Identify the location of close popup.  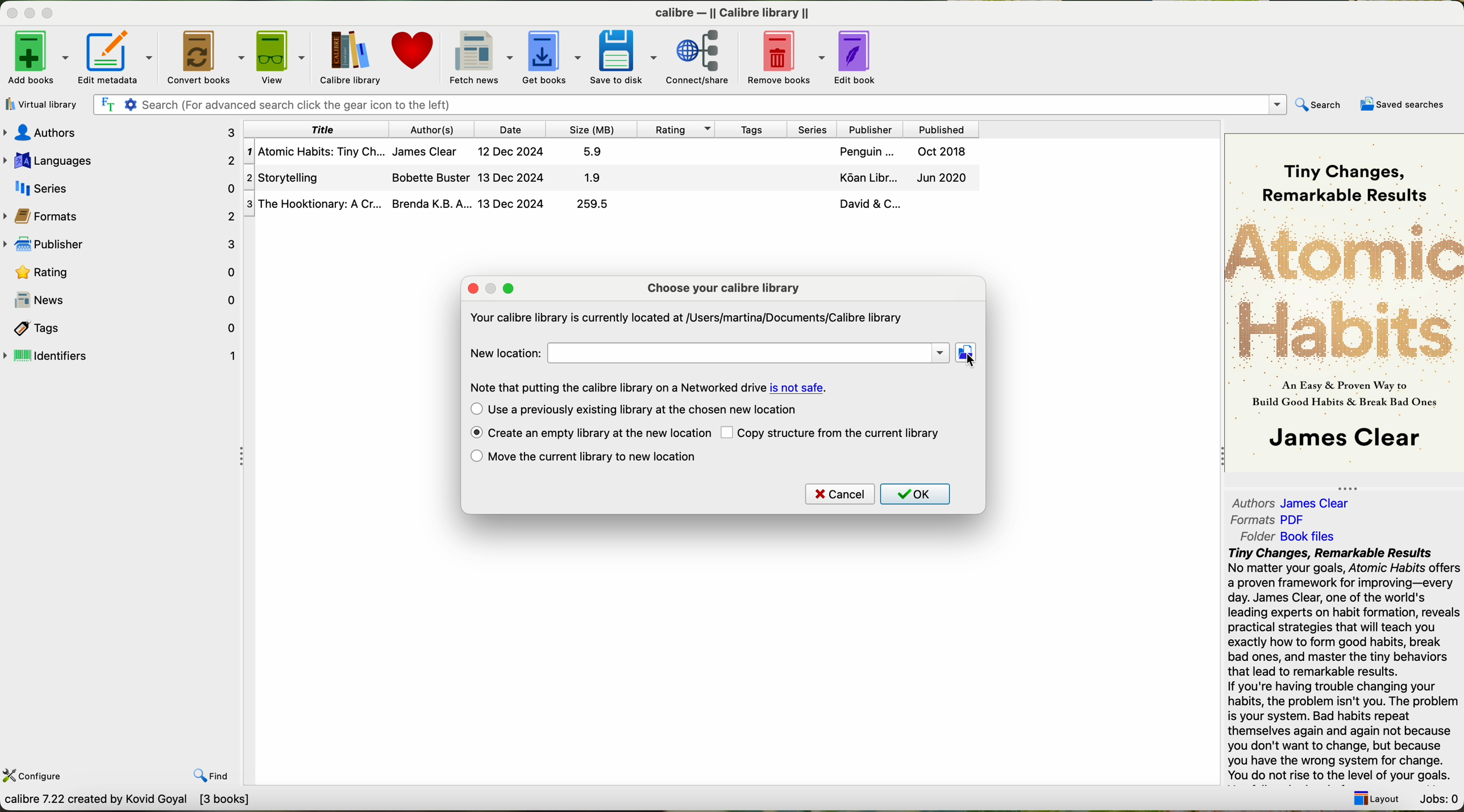
(474, 289).